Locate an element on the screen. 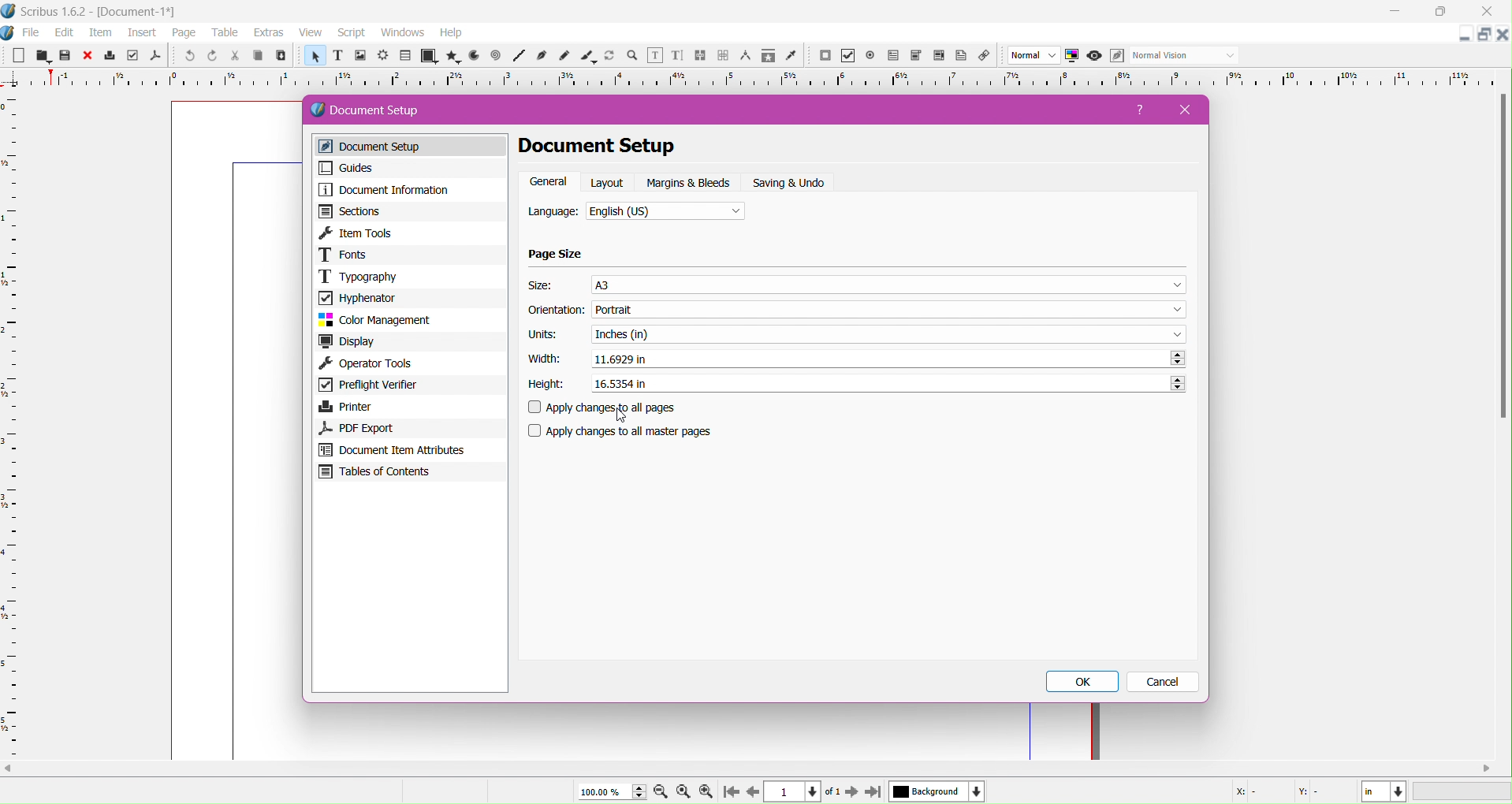 The image size is (1512, 804). line is located at coordinates (519, 57).